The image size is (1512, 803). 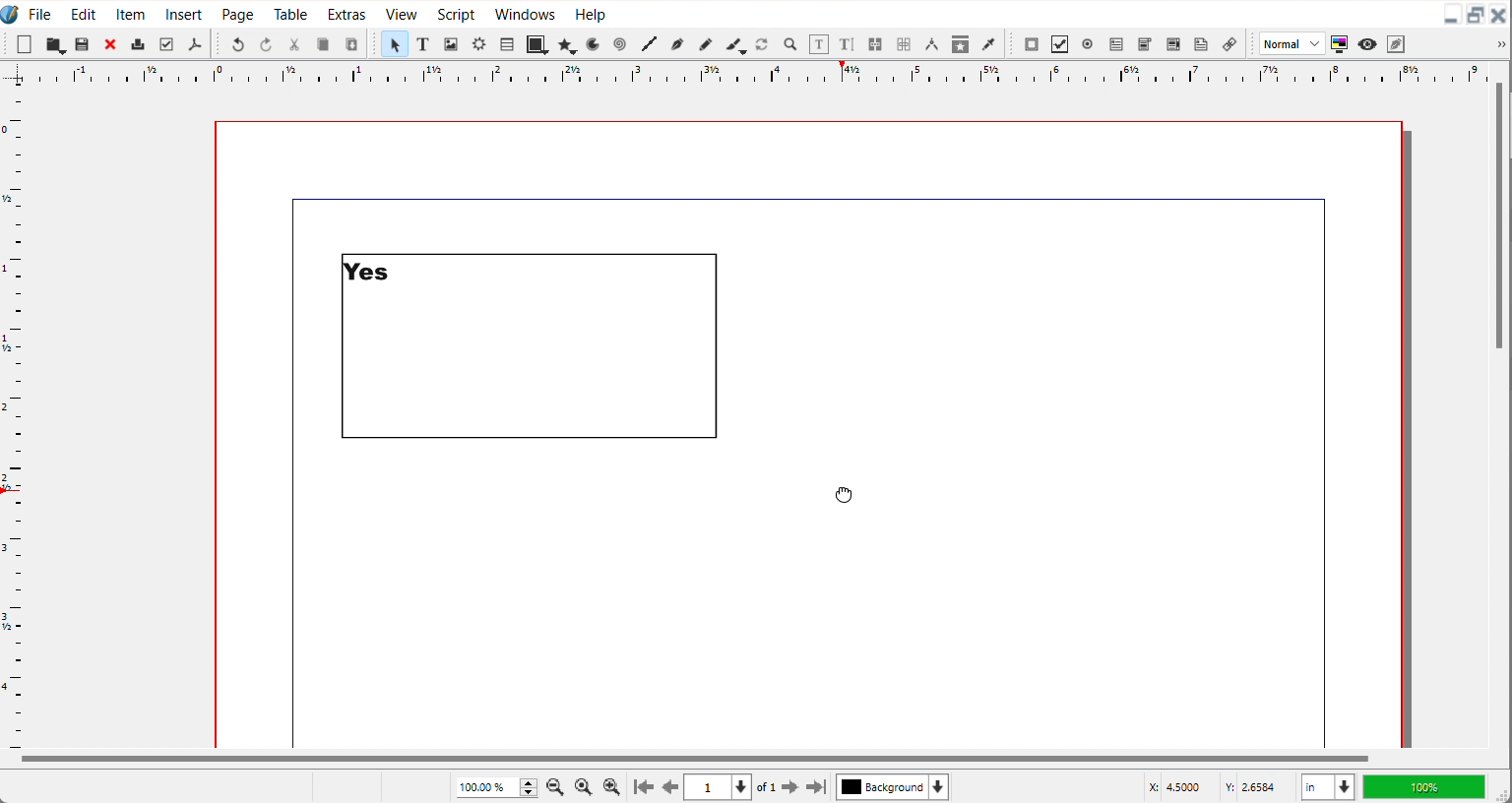 I want to click on Image Frame, so click(x=451, y=43).